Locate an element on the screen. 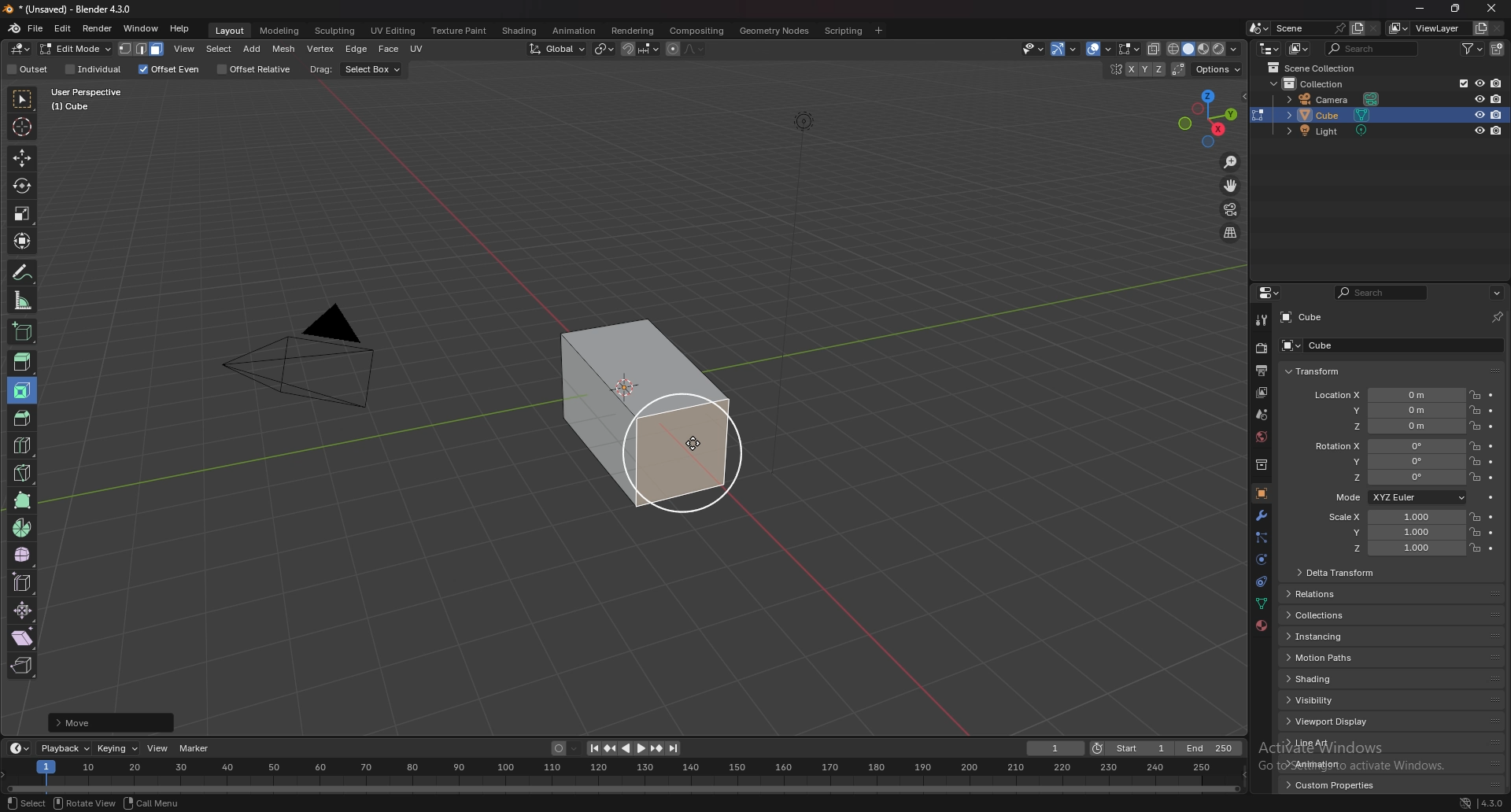 This screenshot has height=812, width=1511. motion paths is located at coordinates (1334, 657).